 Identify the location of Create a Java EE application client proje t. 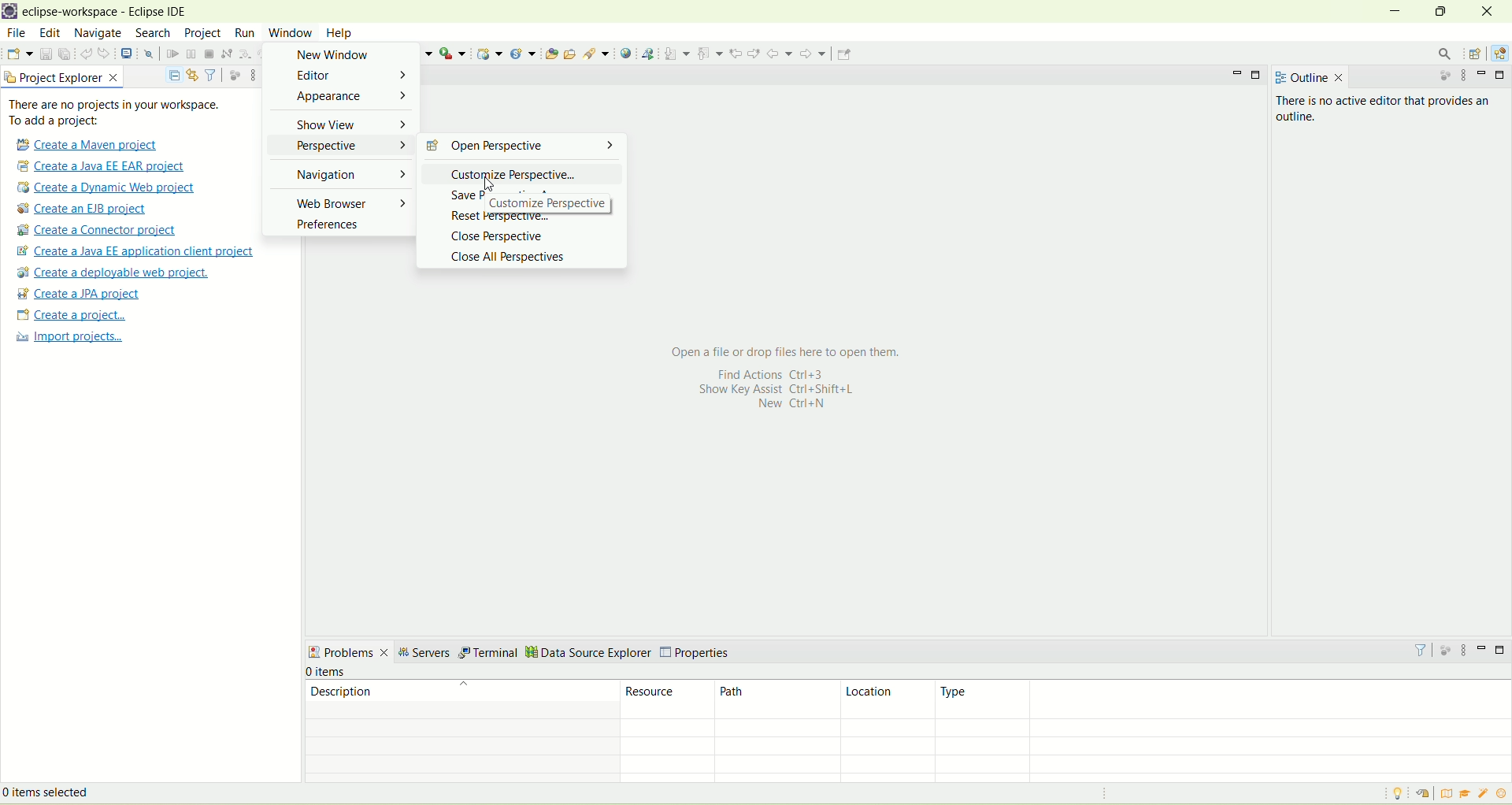
(139, 251).